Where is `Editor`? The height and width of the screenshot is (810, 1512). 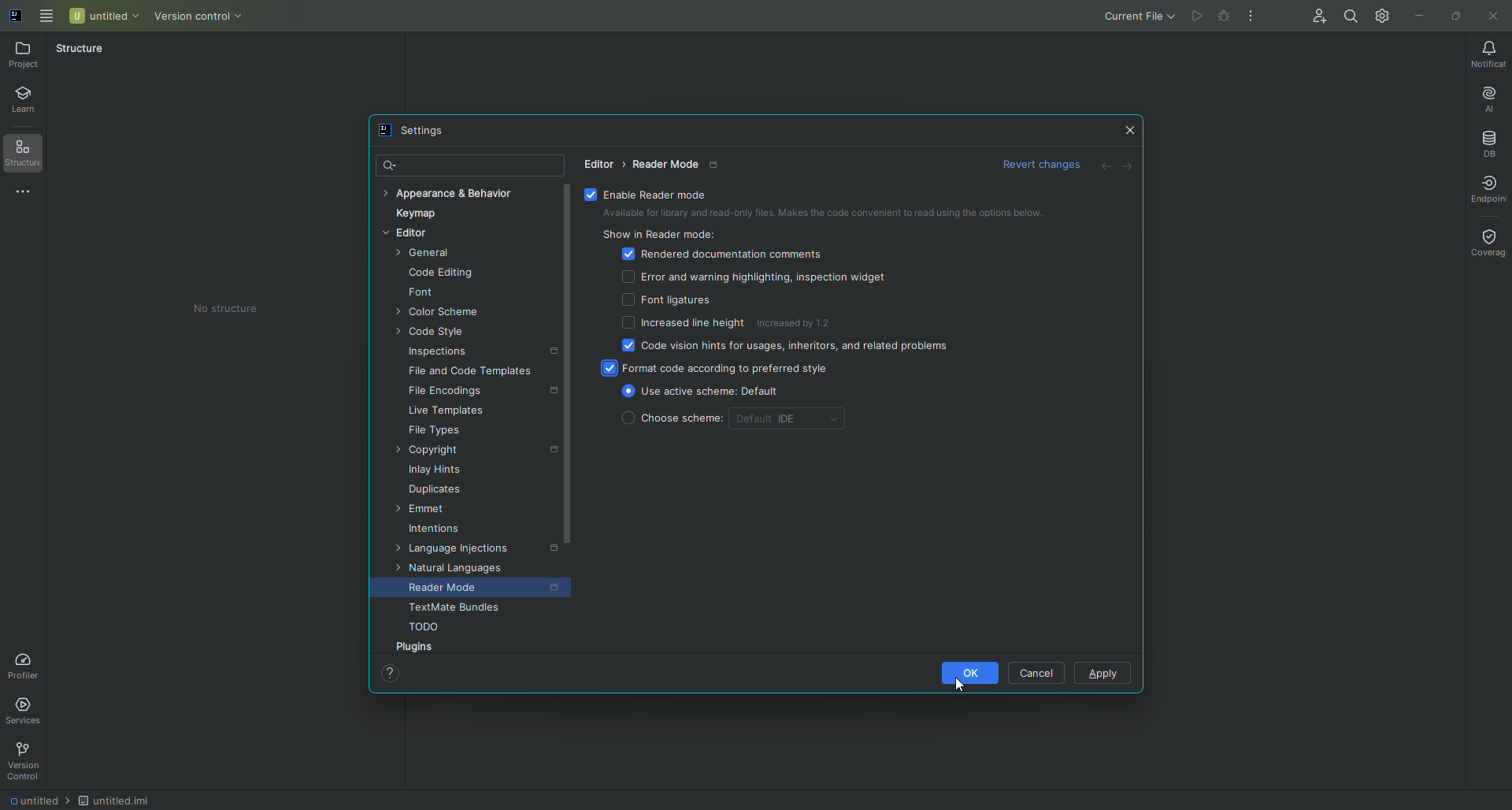 Editor is located at coordinates (602, 163).